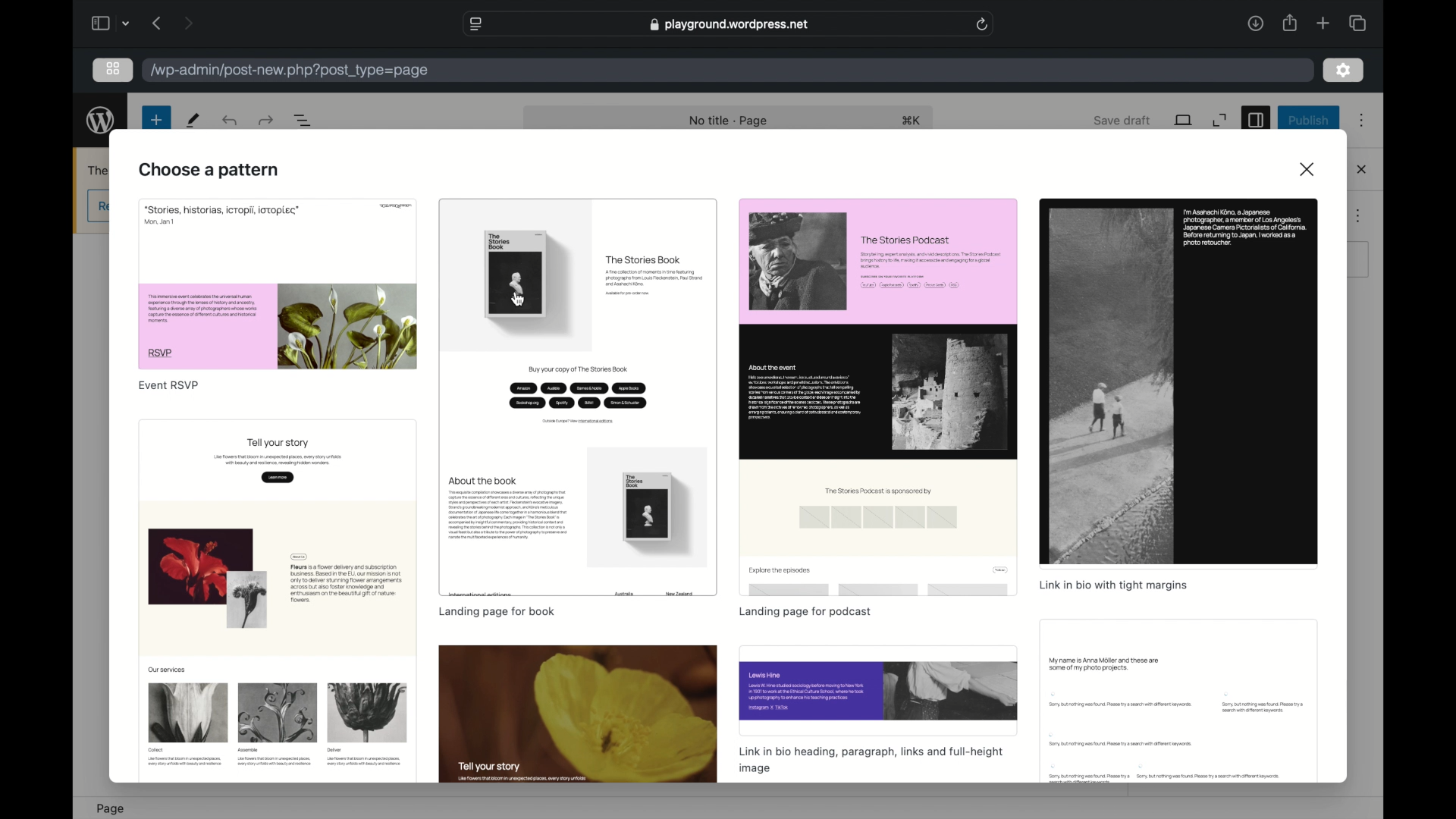  Describe the element at coordinates (1323, 24) in the screenshot. I see `new tab` at that location.